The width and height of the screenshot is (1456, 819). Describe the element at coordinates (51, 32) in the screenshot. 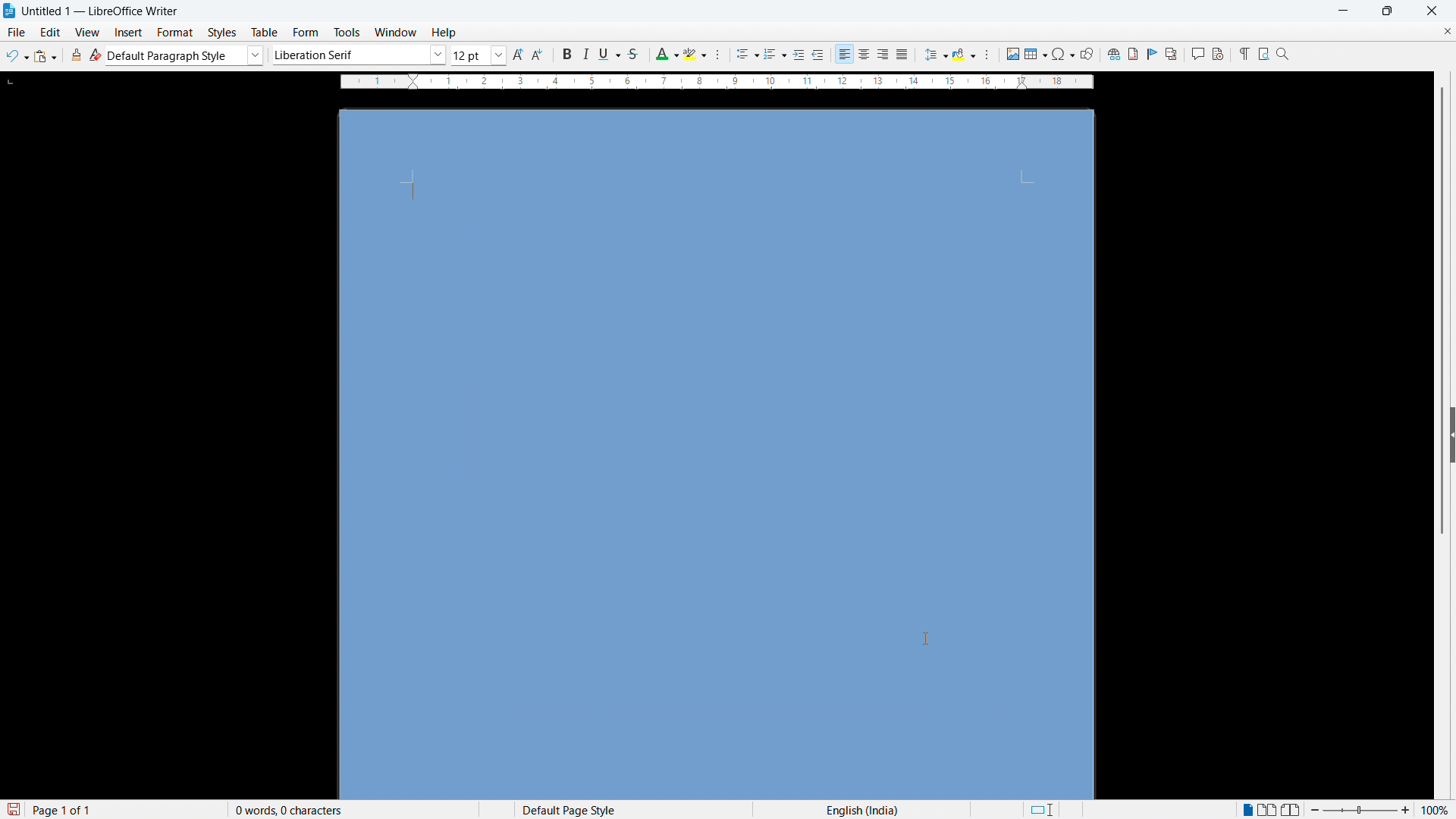

I see `Edit ` at that location.